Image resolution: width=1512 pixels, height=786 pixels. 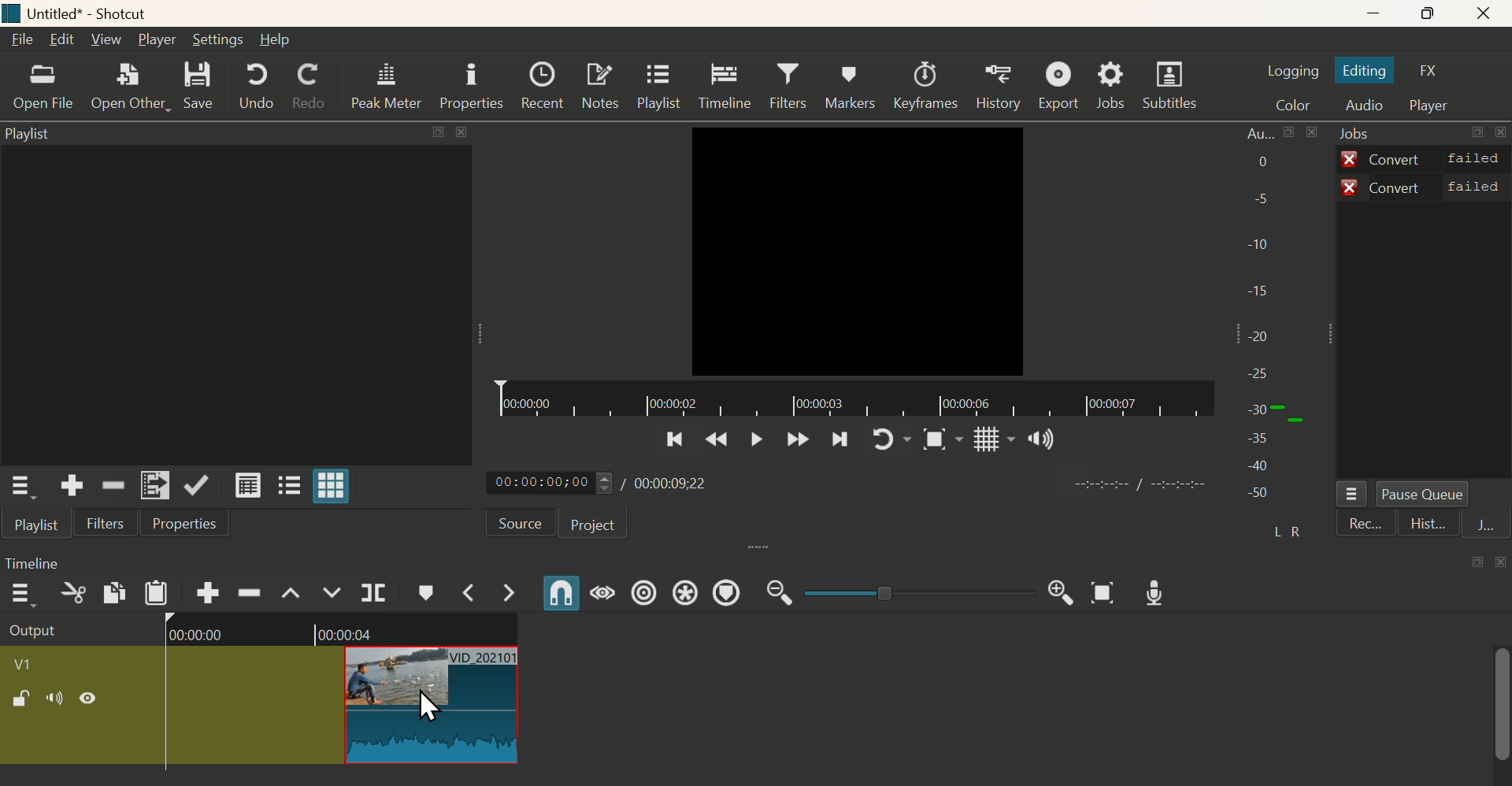 I want to click on , so click(x=1102, y=595).